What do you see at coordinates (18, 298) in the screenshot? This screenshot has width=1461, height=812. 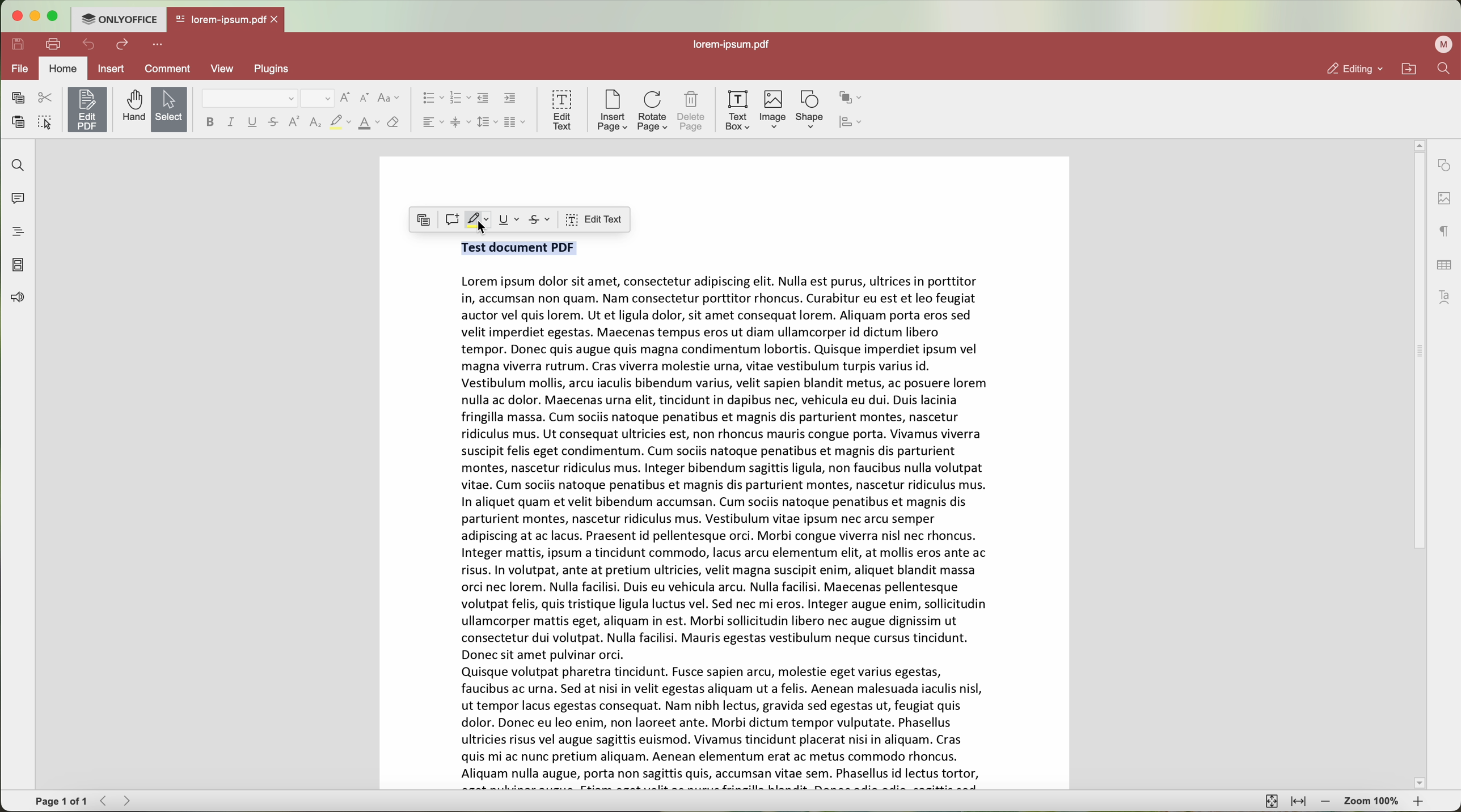 I see `feedback and support` at bounding box center [18, 298].